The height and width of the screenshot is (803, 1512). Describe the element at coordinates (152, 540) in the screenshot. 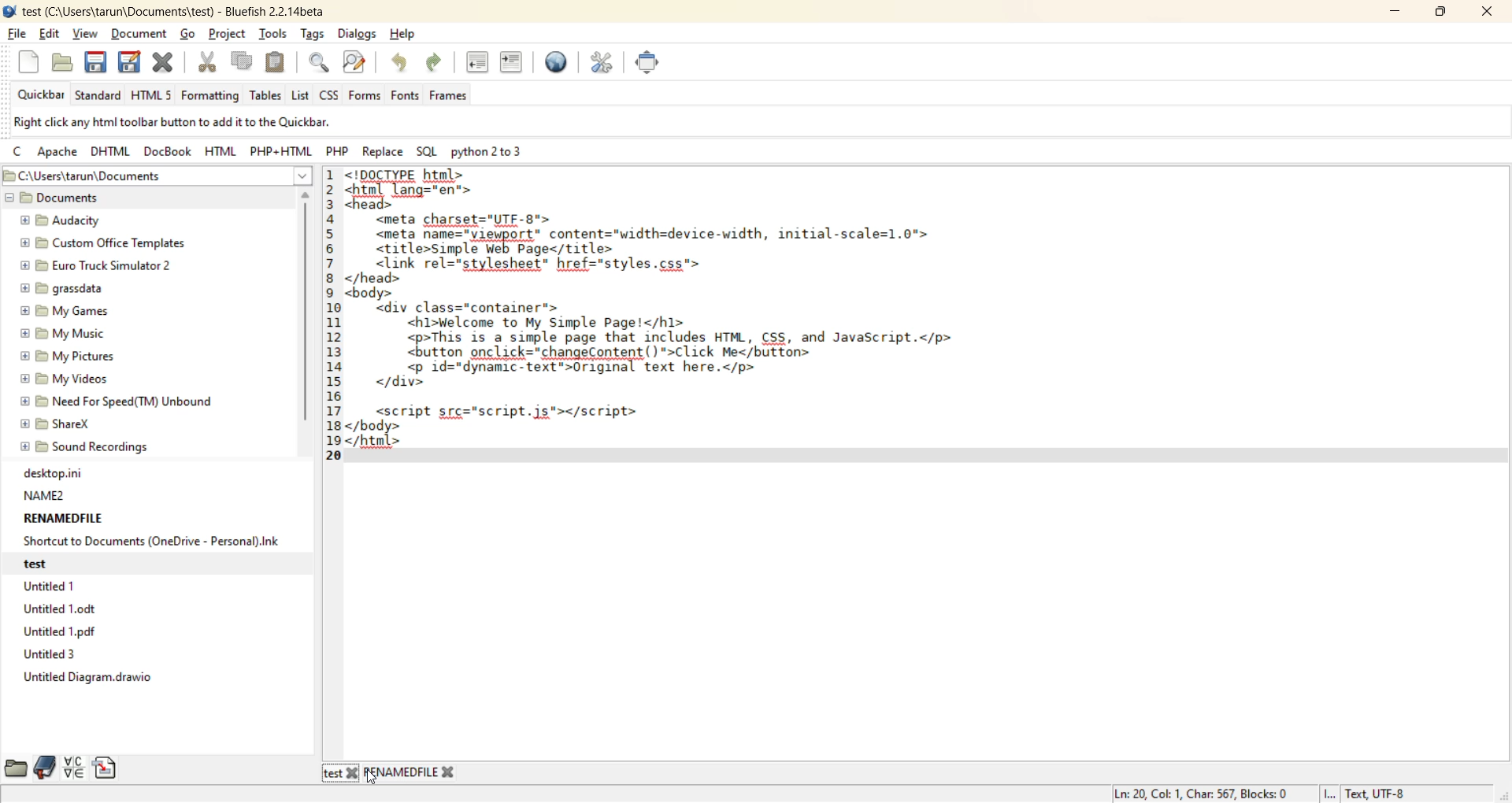

I see `Shortcut to Documents (OneDrive - Personal).Ink` at that location.